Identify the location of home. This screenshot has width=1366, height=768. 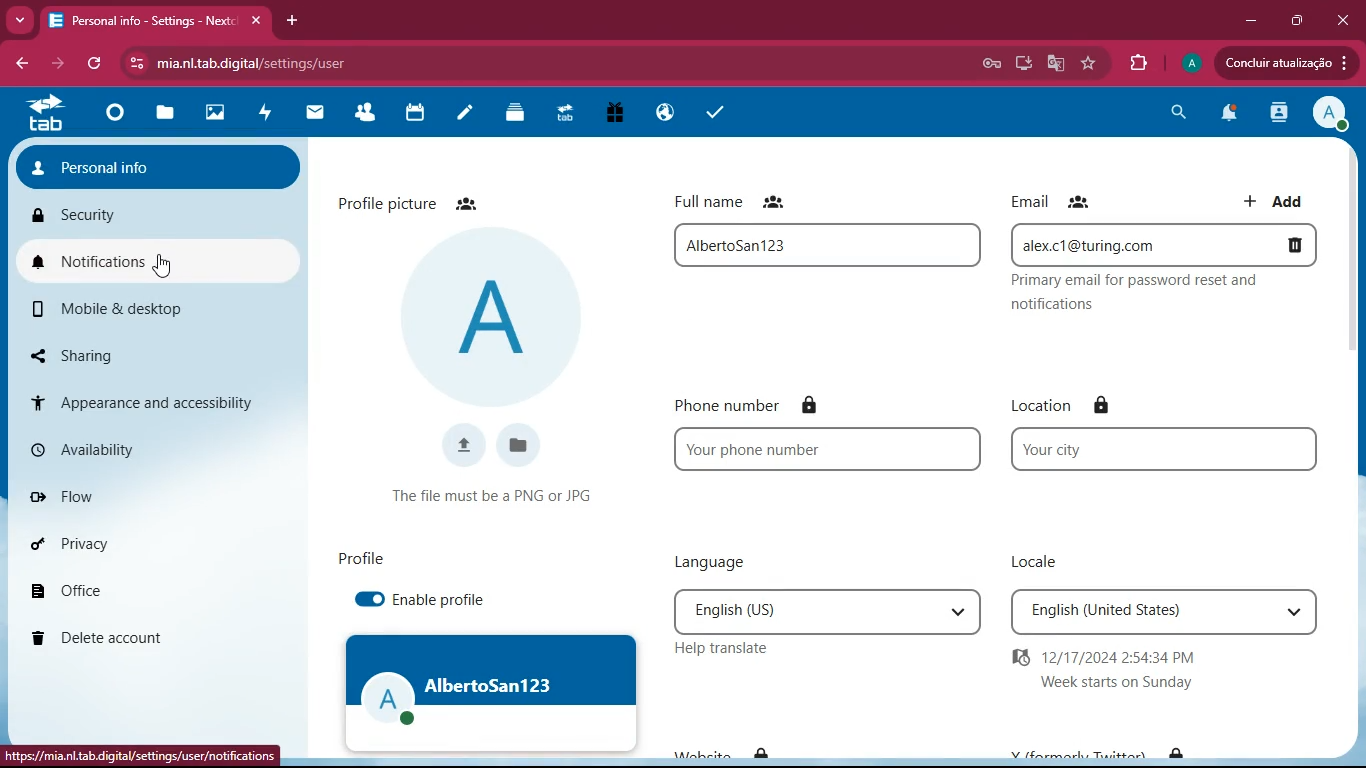
(110, 118).